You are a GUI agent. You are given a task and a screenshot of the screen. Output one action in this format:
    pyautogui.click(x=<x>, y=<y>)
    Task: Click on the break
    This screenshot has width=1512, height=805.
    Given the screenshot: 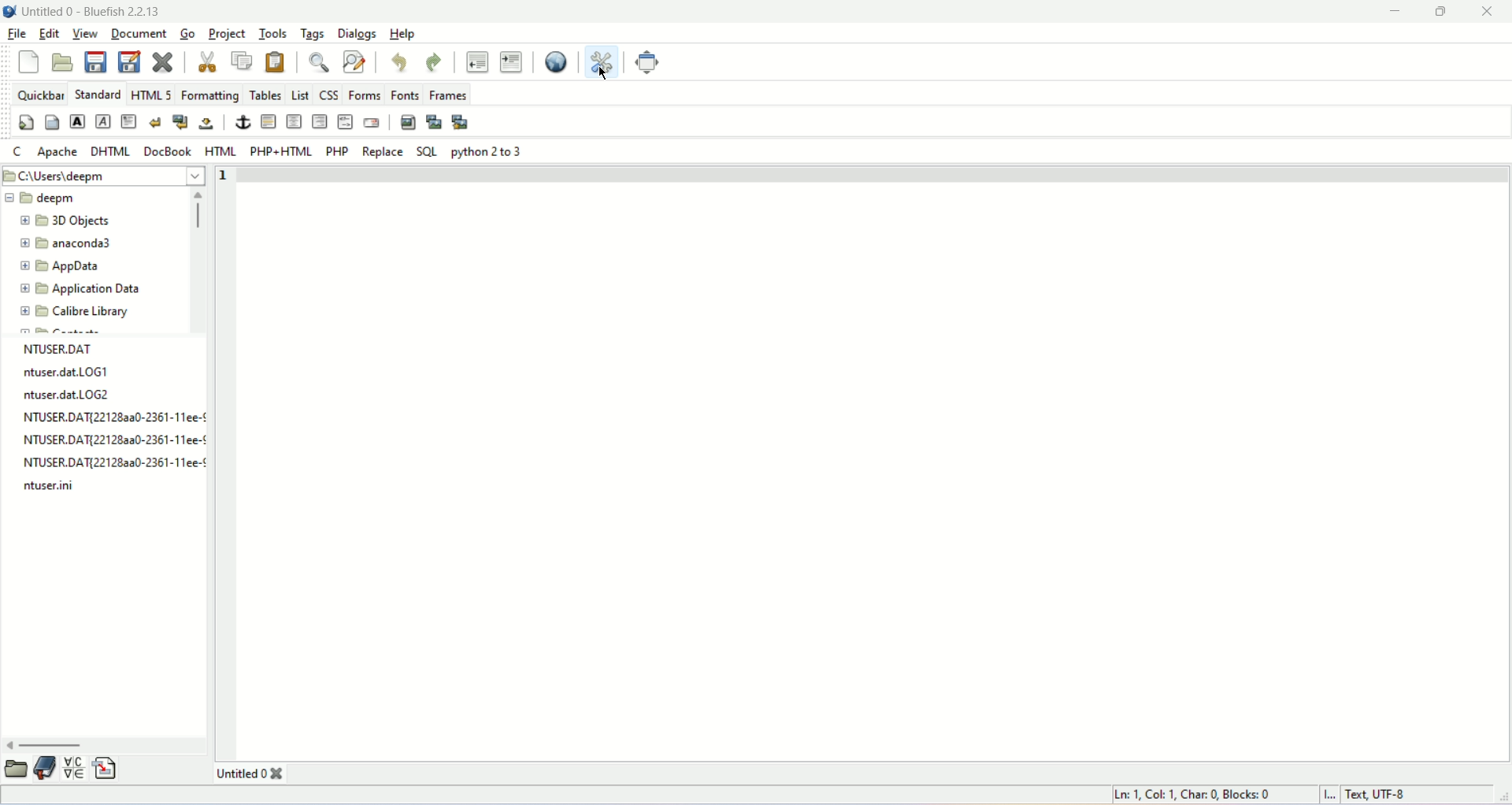 What is the action you would take?
    pyautogui.click(x=152, y=122)
    